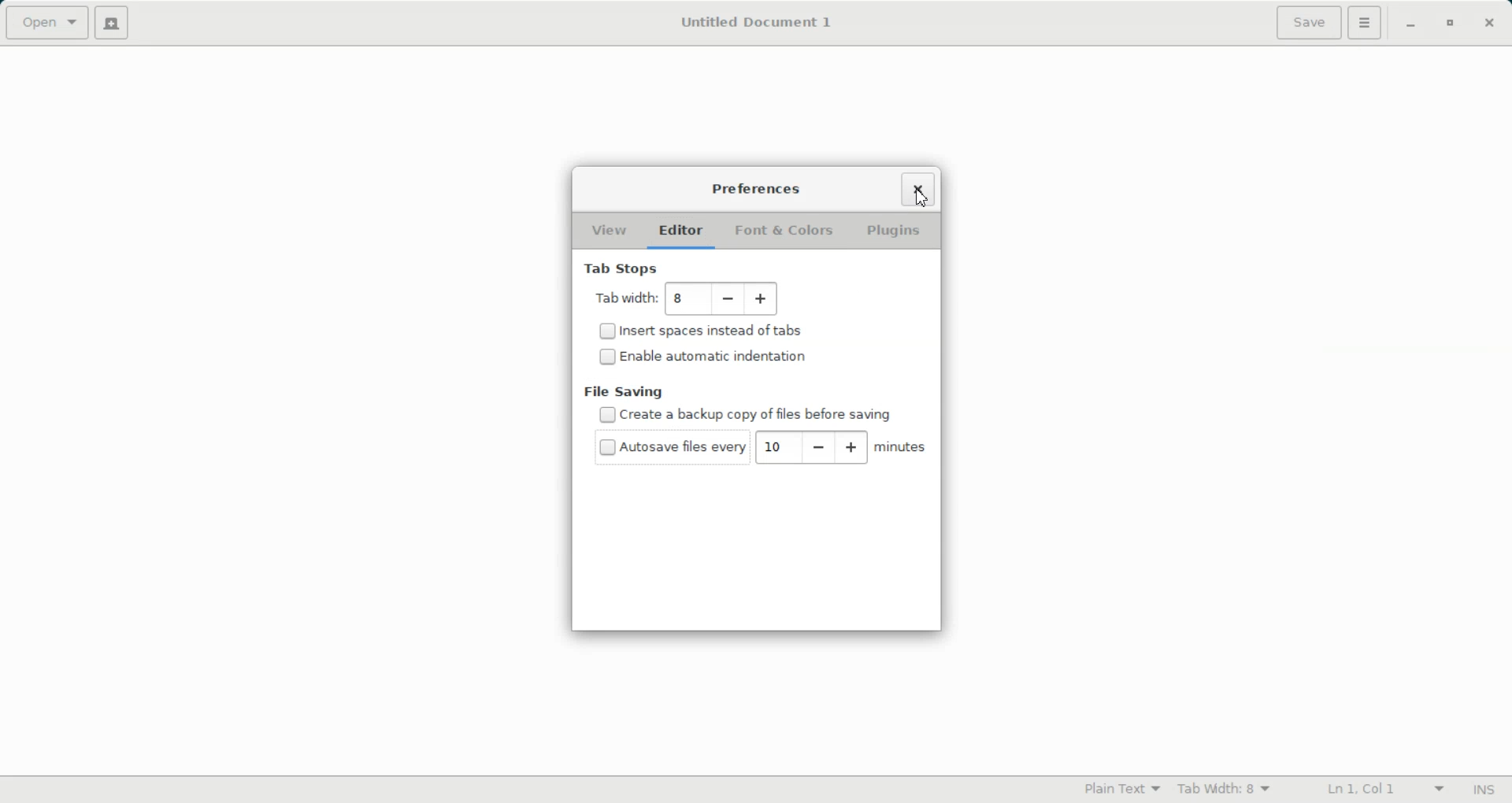 Image resolution: width=1512 pixels, height=803 pixels. I want to click on File Saving, so click(624, 391).